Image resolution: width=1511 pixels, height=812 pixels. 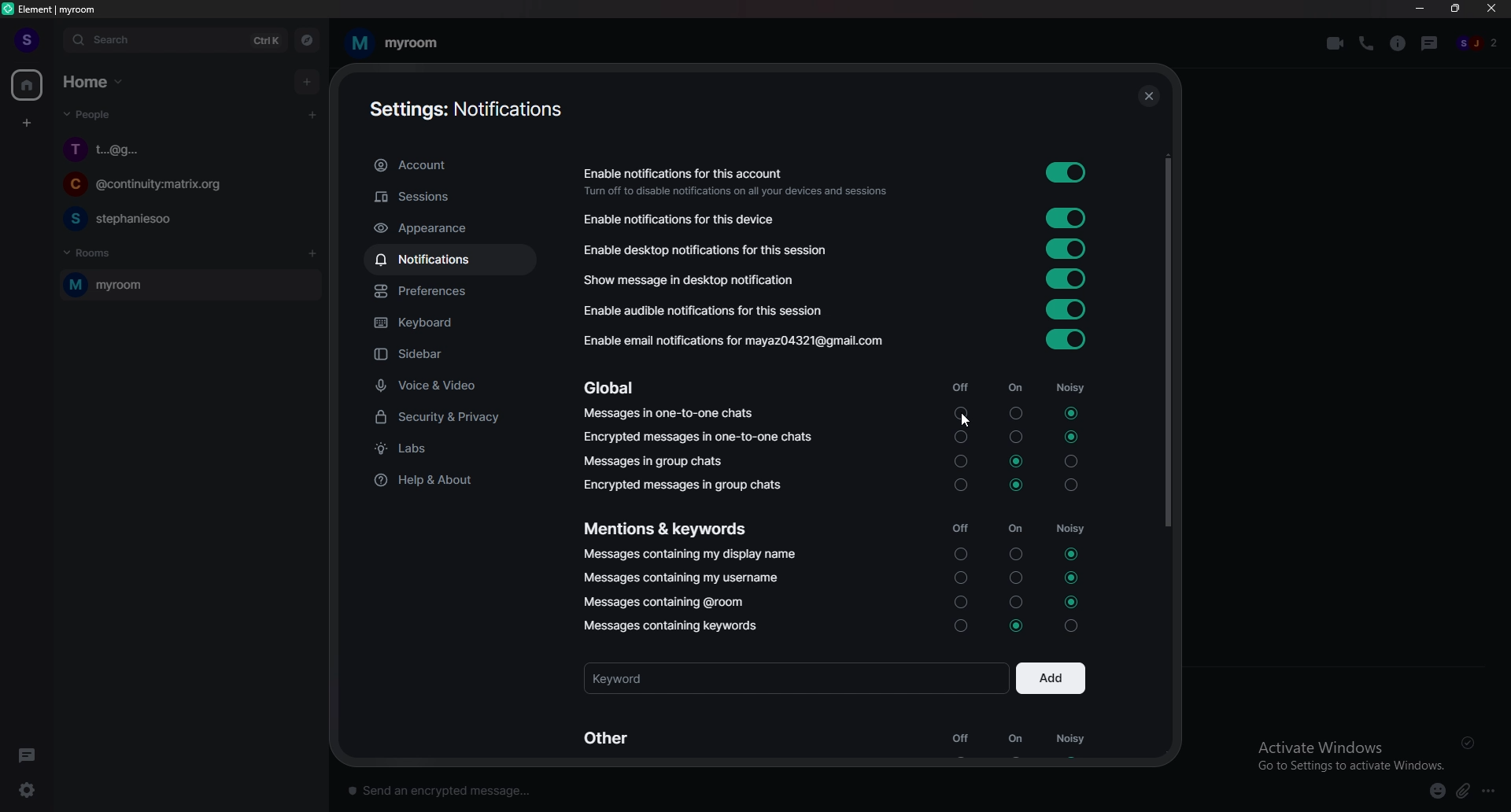 I want to click on mentions and keywords, so click(x=666, y=527).